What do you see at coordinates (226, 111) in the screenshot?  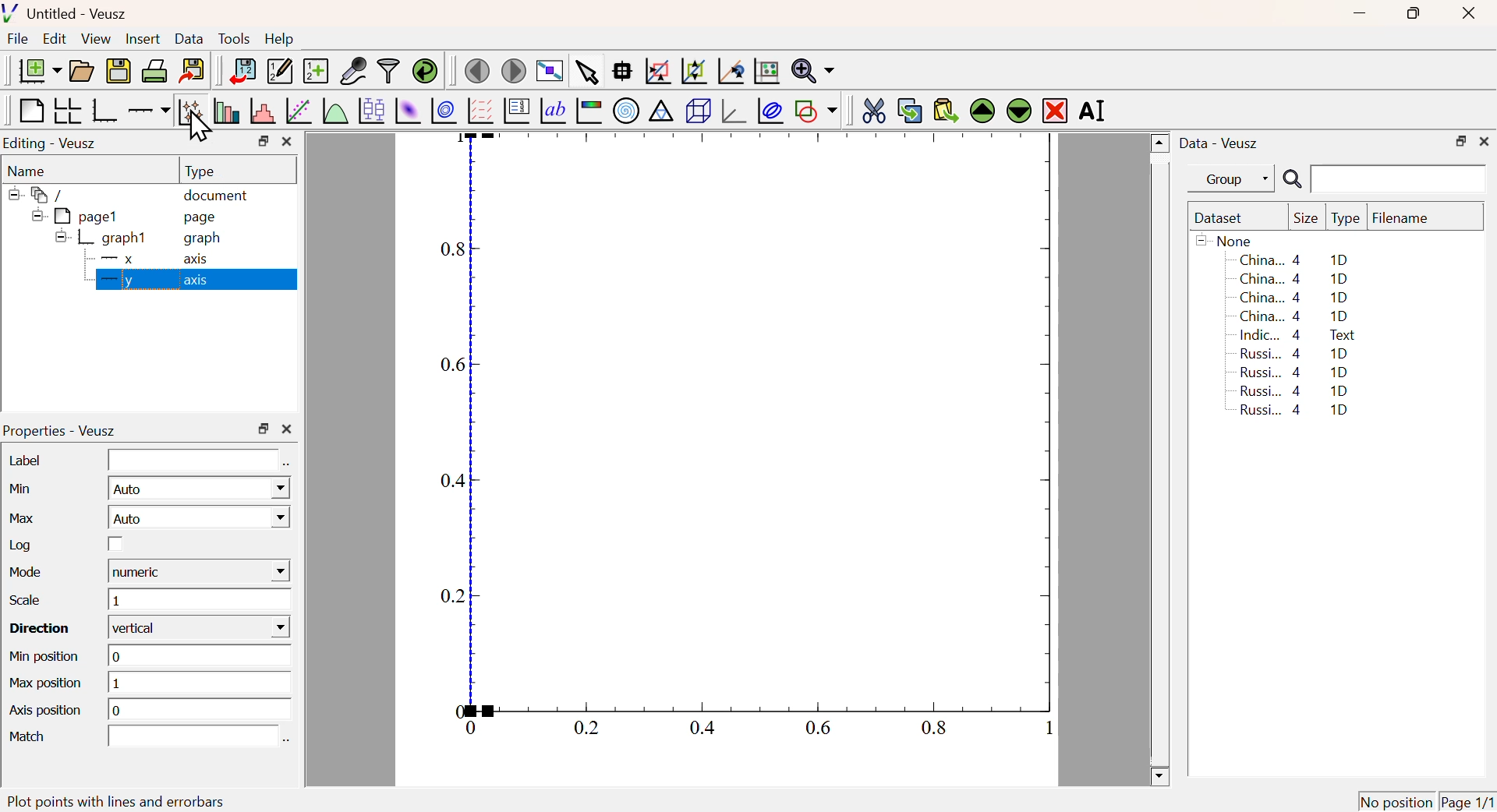 I see `Plot bar charts` at bounding box center [226, 111].